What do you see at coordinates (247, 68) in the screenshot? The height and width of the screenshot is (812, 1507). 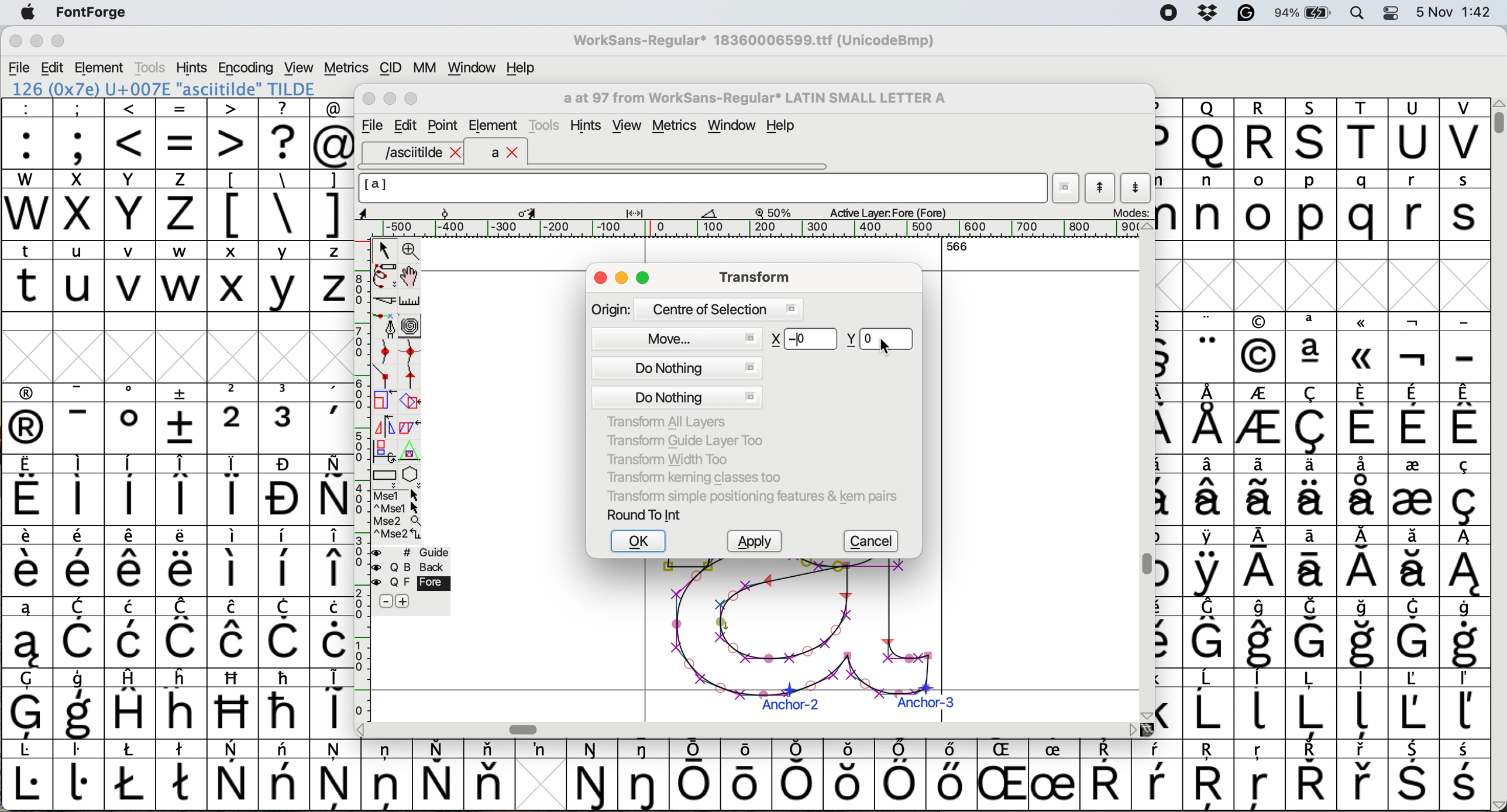 I see `encoding` at bounding box center [247, 68].